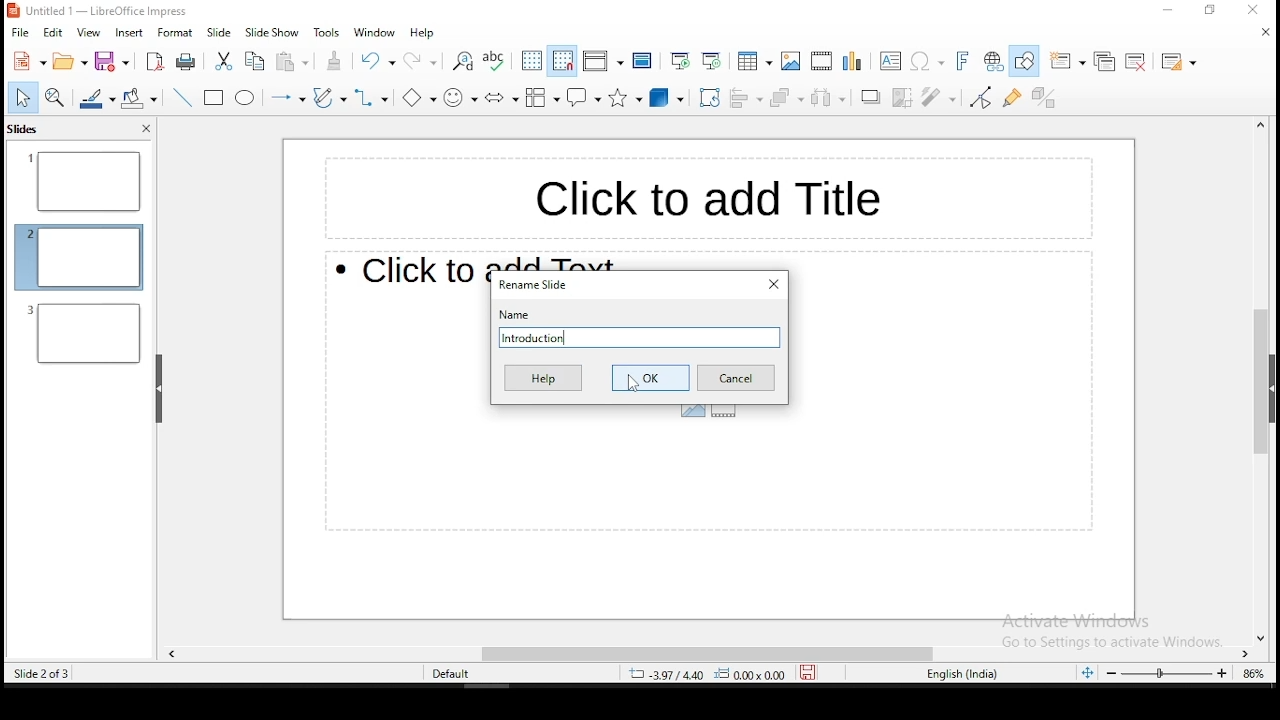 The image size is (1280, 720). What do you see at coordinates (85, 333) in the screenshot?
I see `slide 2` at bounding box center [85, 333].